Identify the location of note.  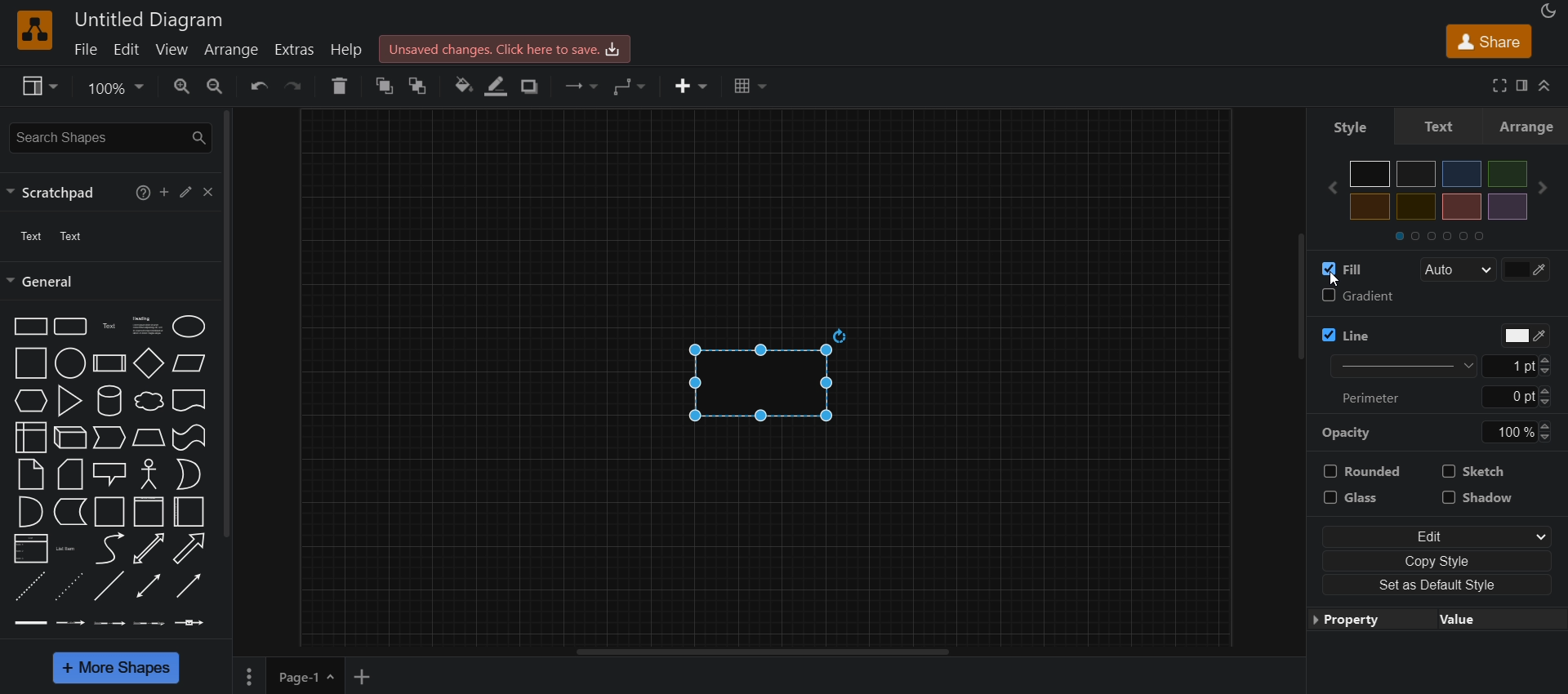
(33, 475).